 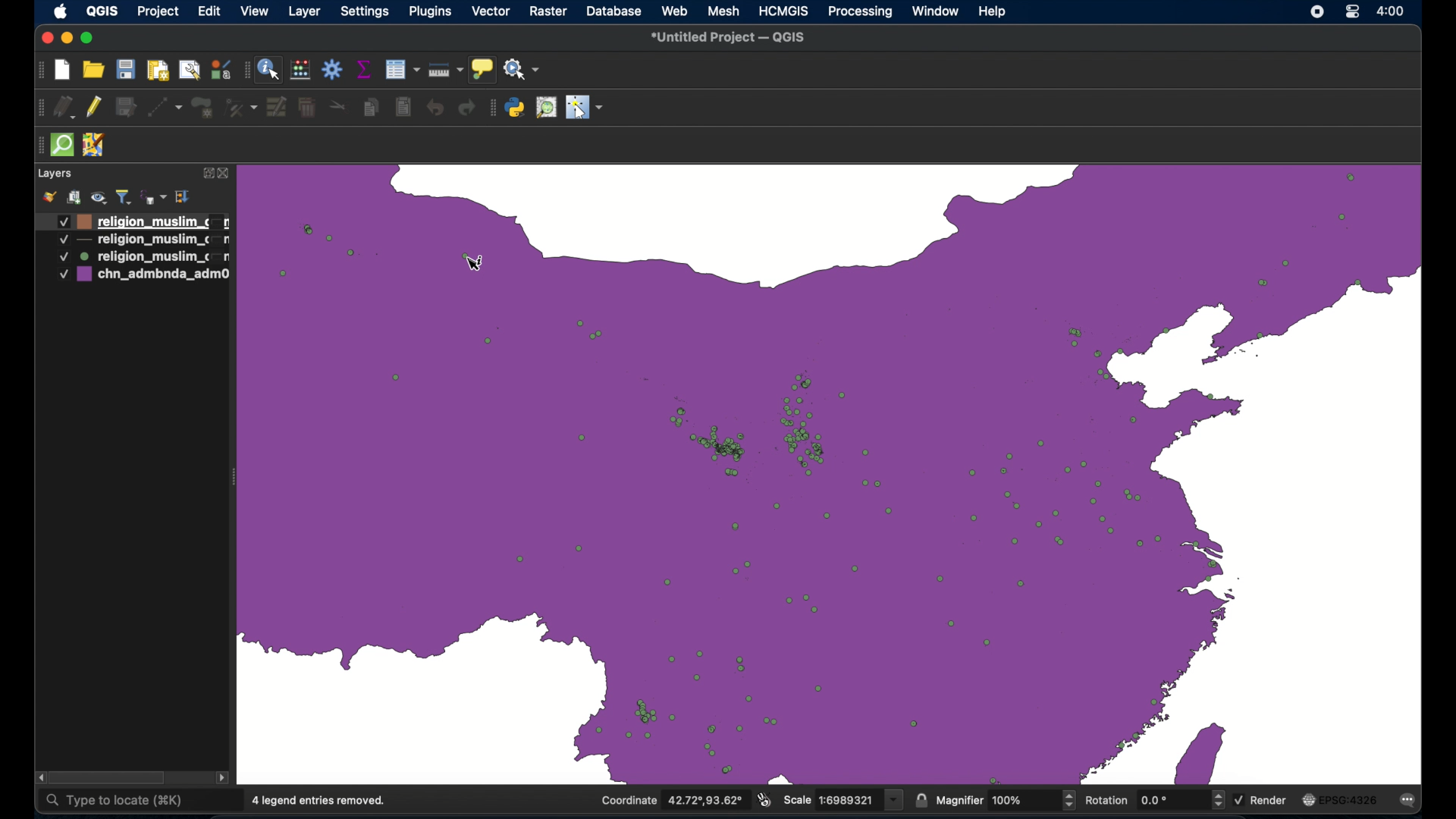 What do you see at coordinates (934, 11) in the screenshot?
I see `window` at bounding box center [934, 11].